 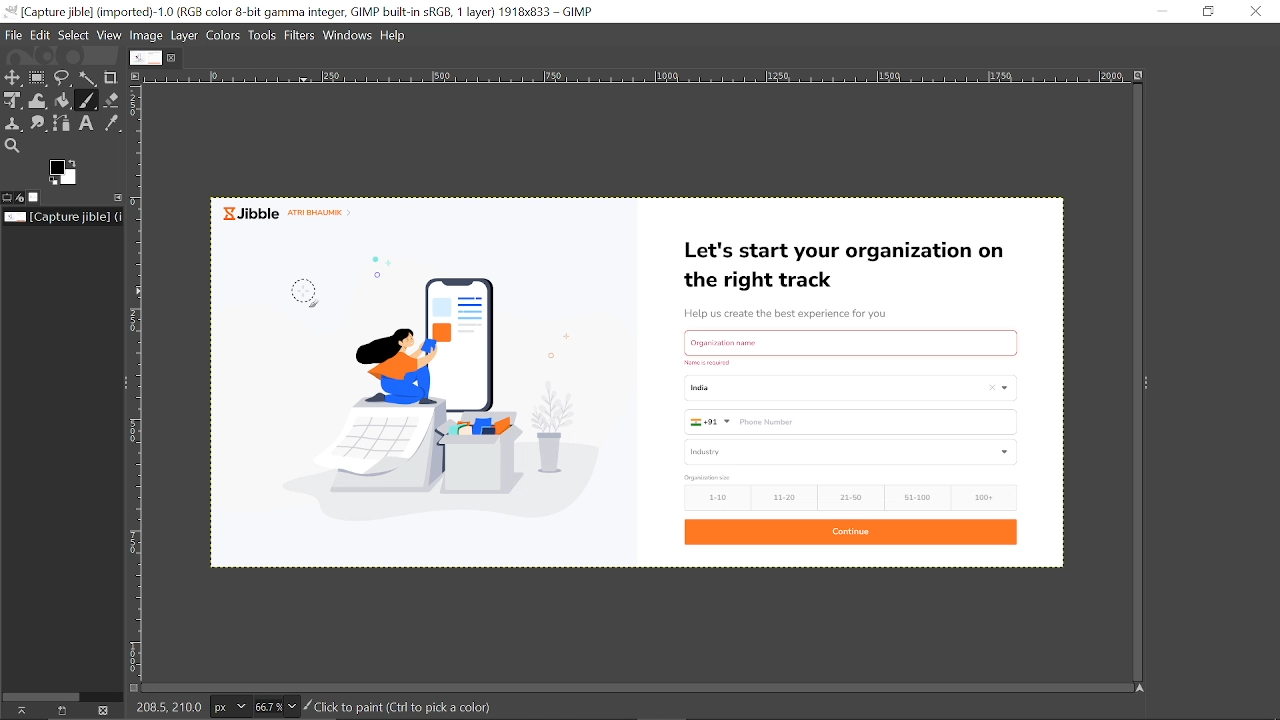 I want to click on Raise this images displays, so click(x=19, y=710).